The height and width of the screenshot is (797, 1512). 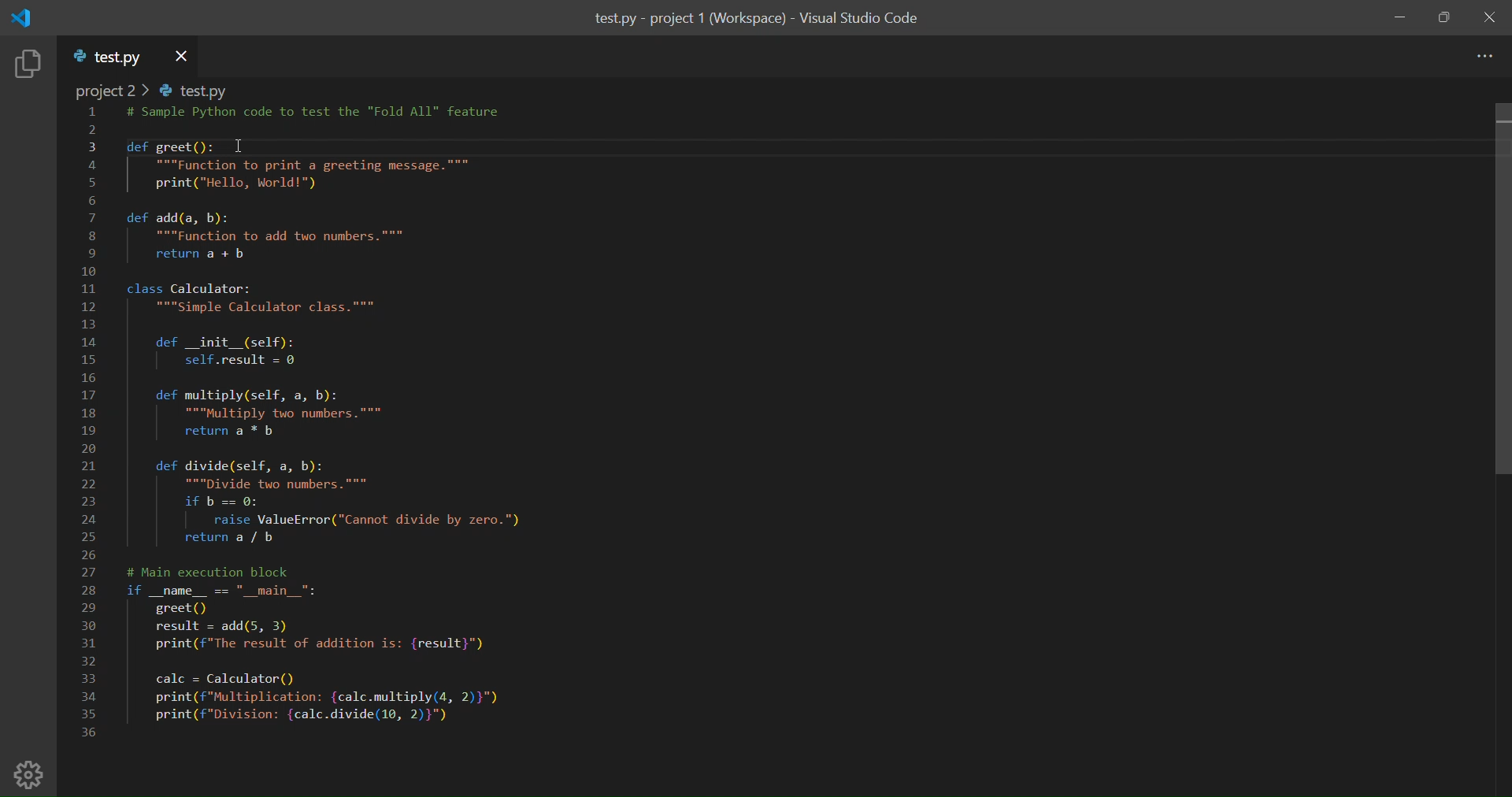 I want to click on title, so click(x=756, y=20).